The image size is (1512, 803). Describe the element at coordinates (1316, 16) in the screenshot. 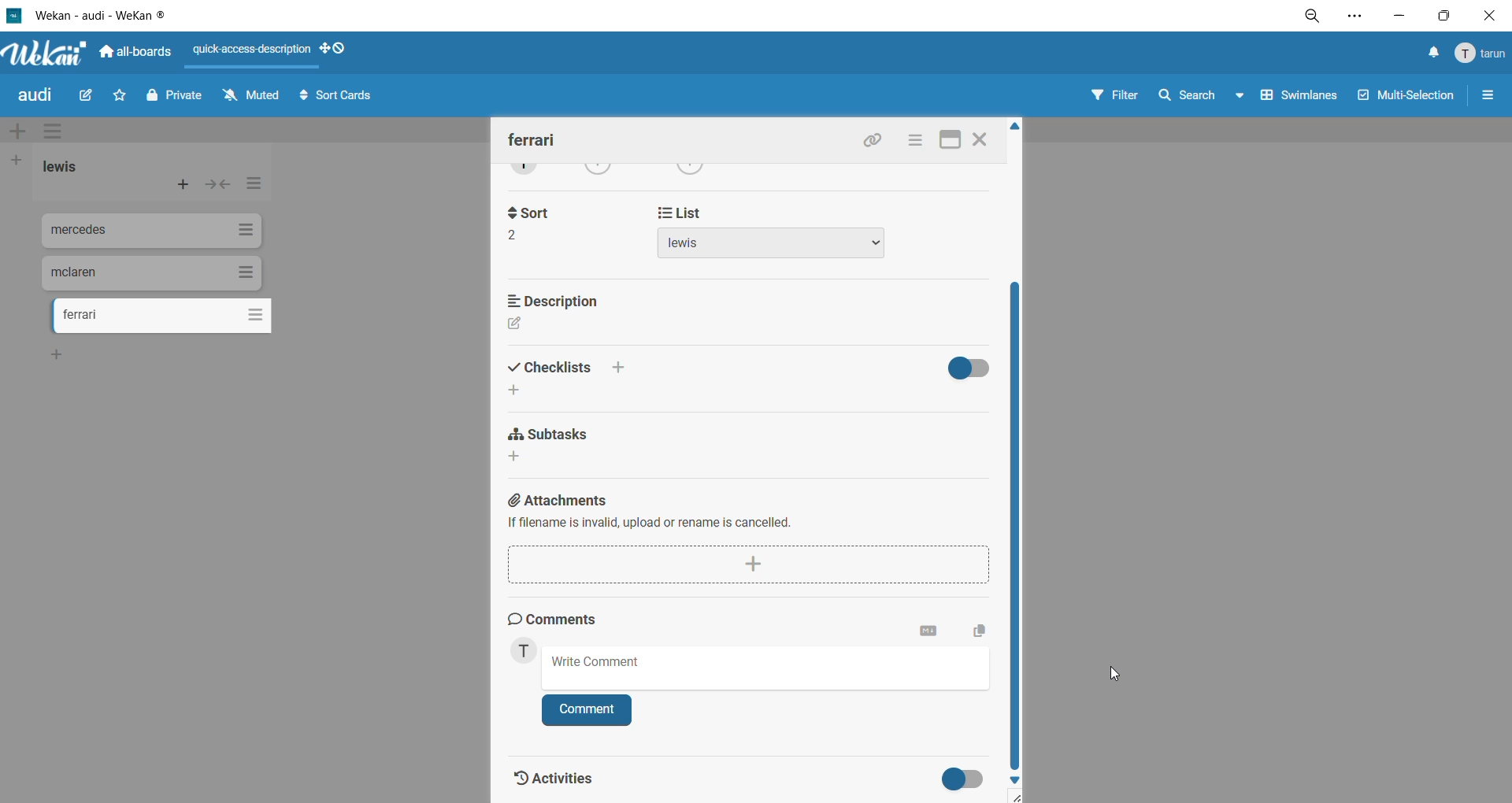

I see `zoom` at that location.